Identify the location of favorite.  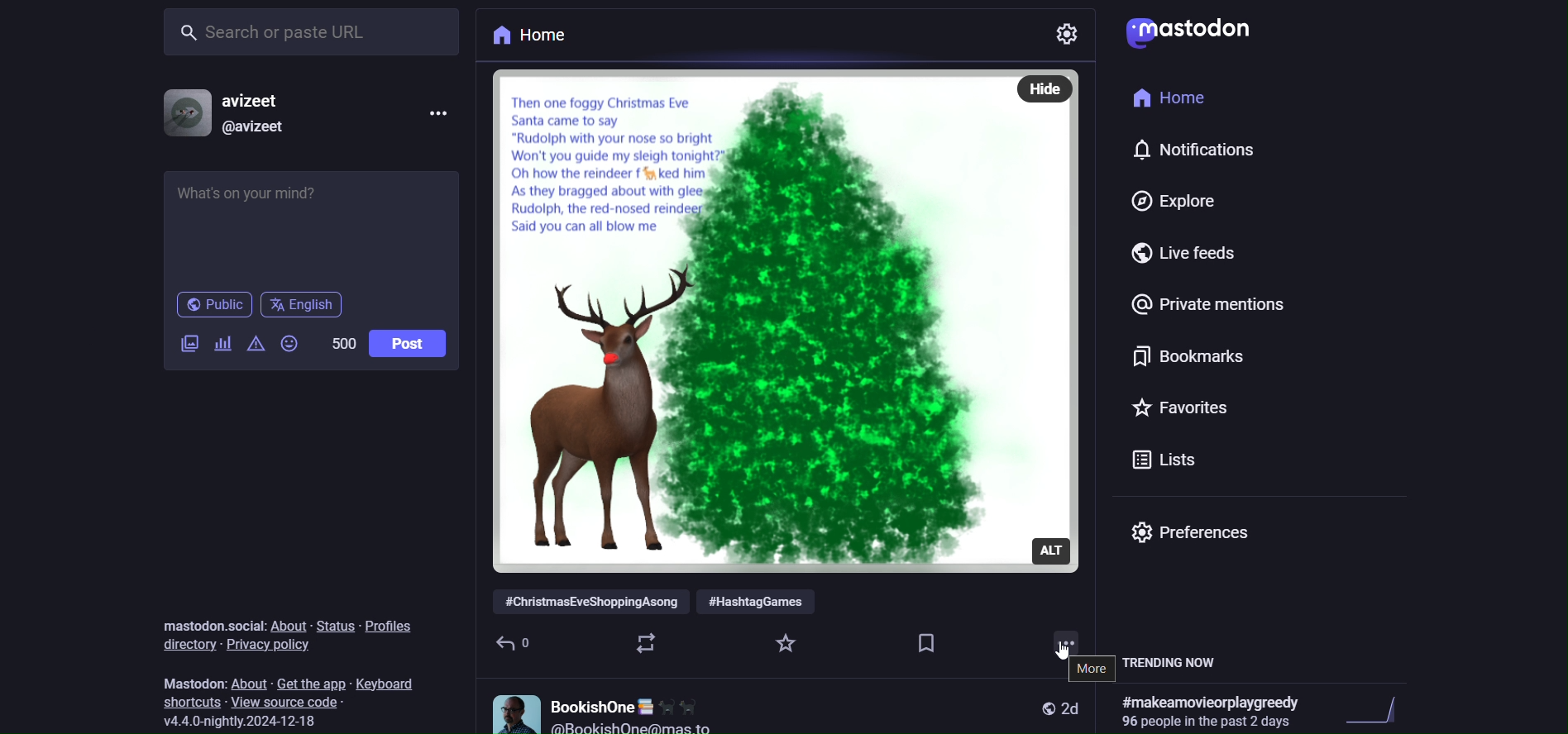
(783, 641).